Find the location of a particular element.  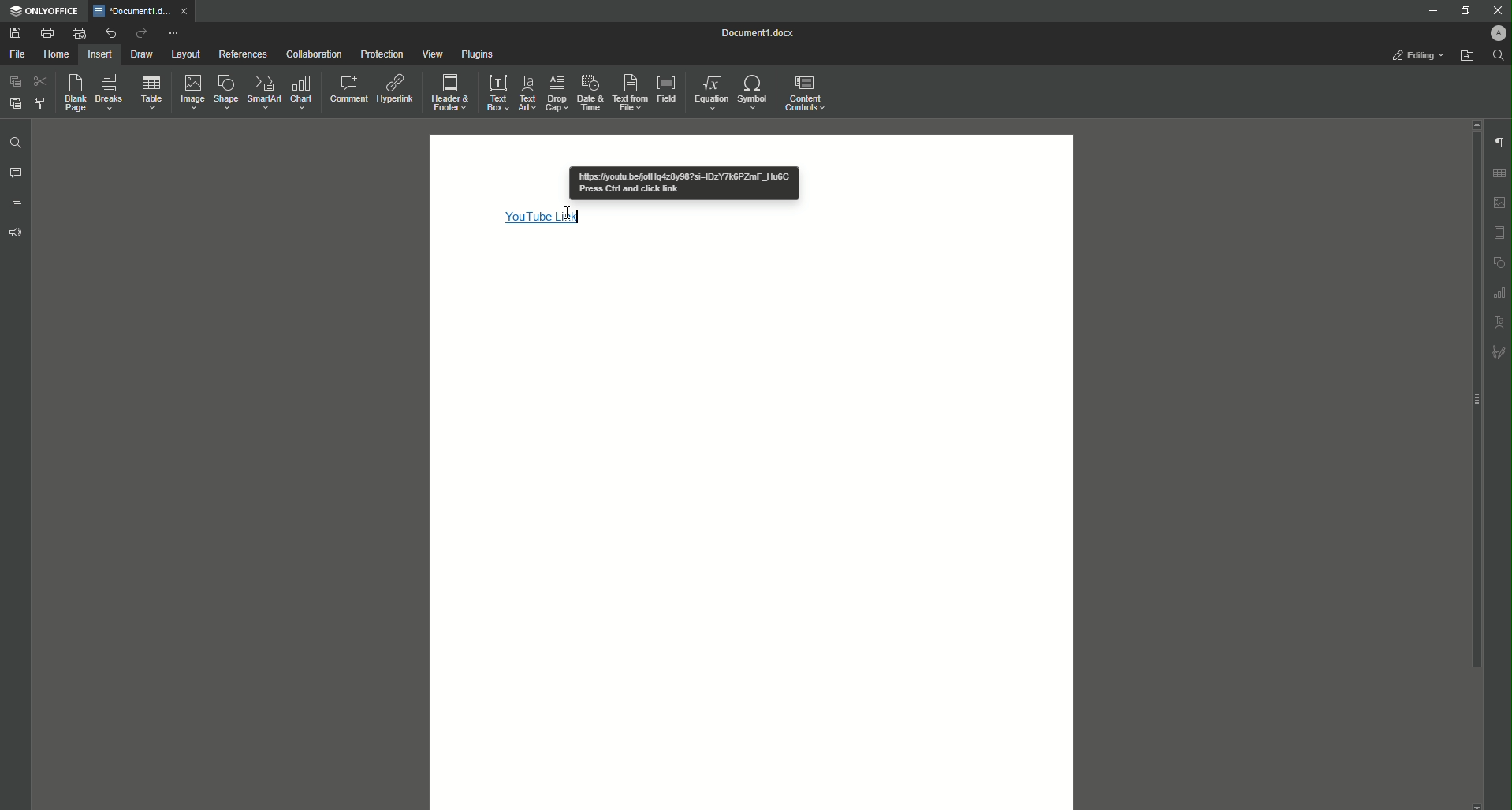

https://youtu.be/jotHq4z8y98 ?si=IDzY7k6PZmF_Hu6C Press Ctrl and click link is located at coordinates (684, 184).